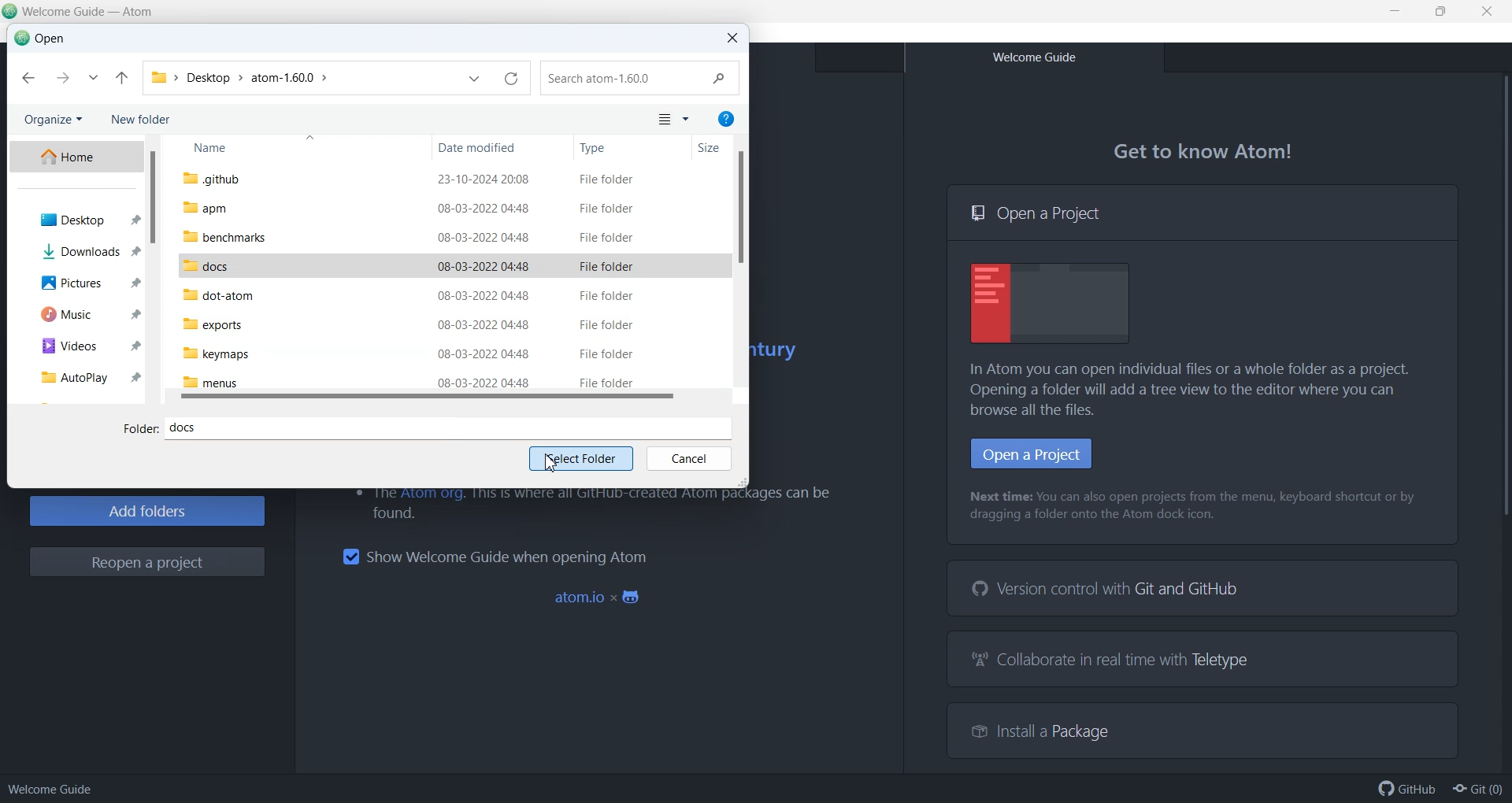  I want to click on Add Folders, so click(146, 511).